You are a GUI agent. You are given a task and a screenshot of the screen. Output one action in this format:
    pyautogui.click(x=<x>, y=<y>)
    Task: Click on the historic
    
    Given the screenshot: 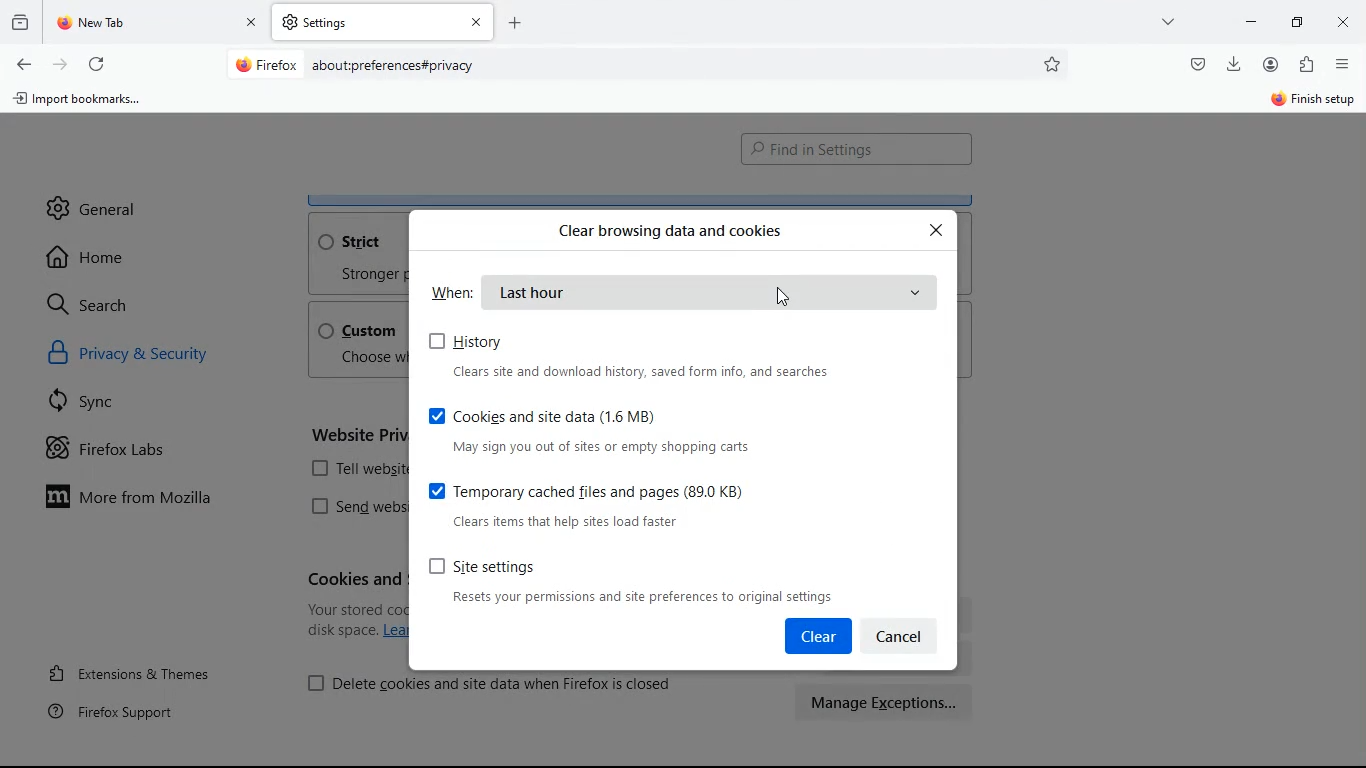 What is the action you would take?
    pyautogui.click(x=23, y=21)
    